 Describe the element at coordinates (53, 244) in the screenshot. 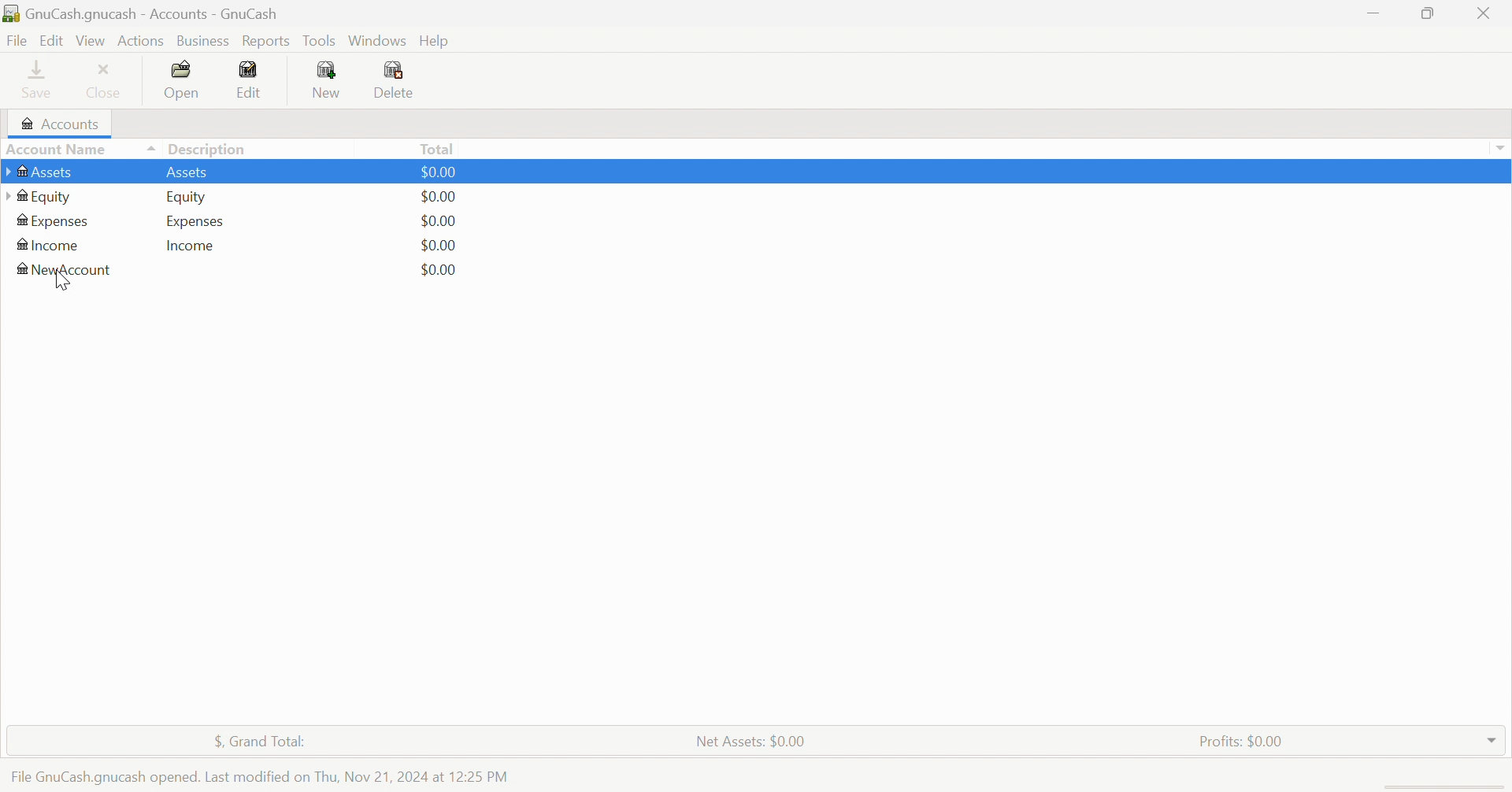

I see `Income` at that location.